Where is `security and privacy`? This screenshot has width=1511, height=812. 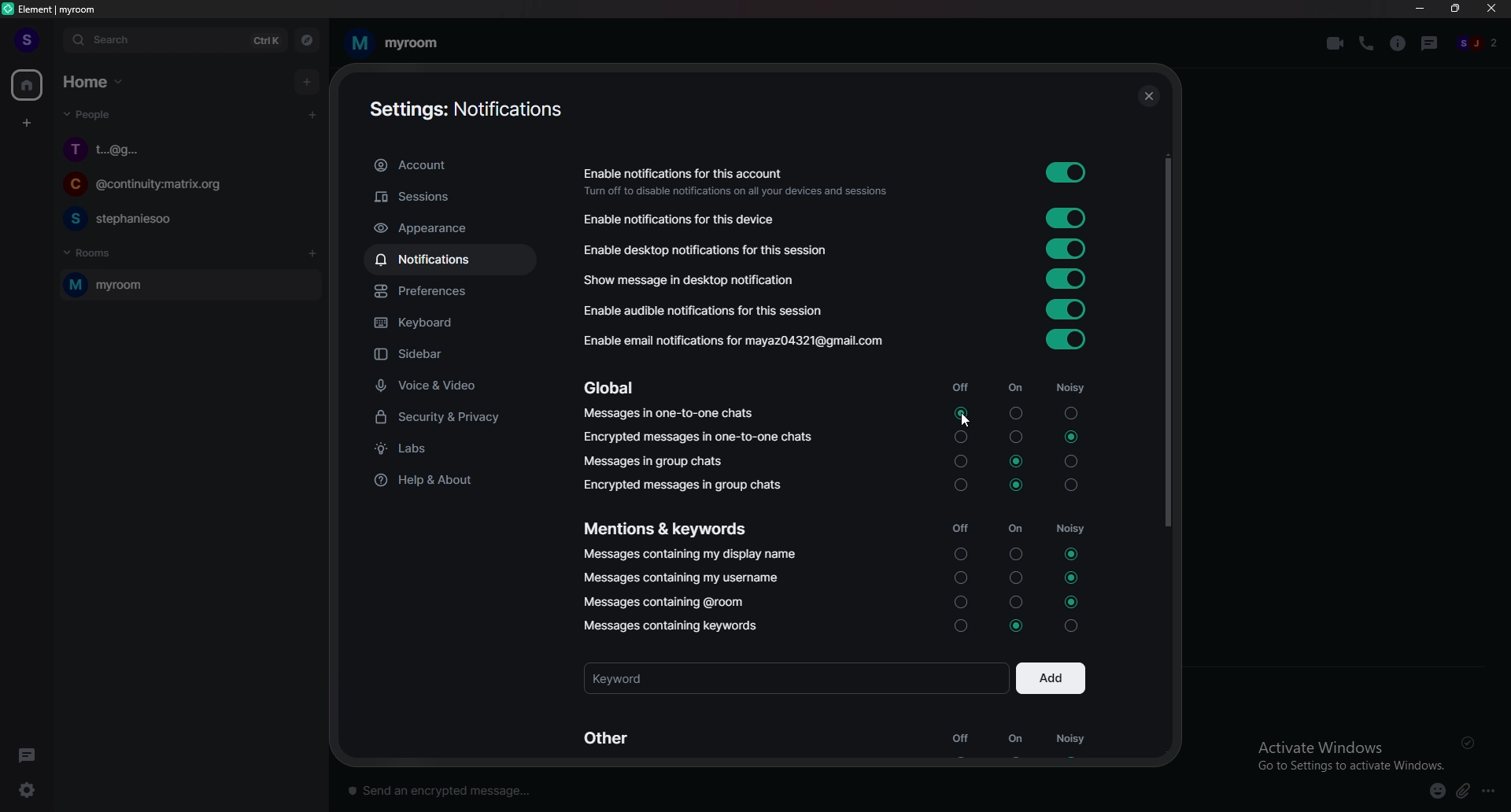
security and privacy is located at coordinates (456, 417).